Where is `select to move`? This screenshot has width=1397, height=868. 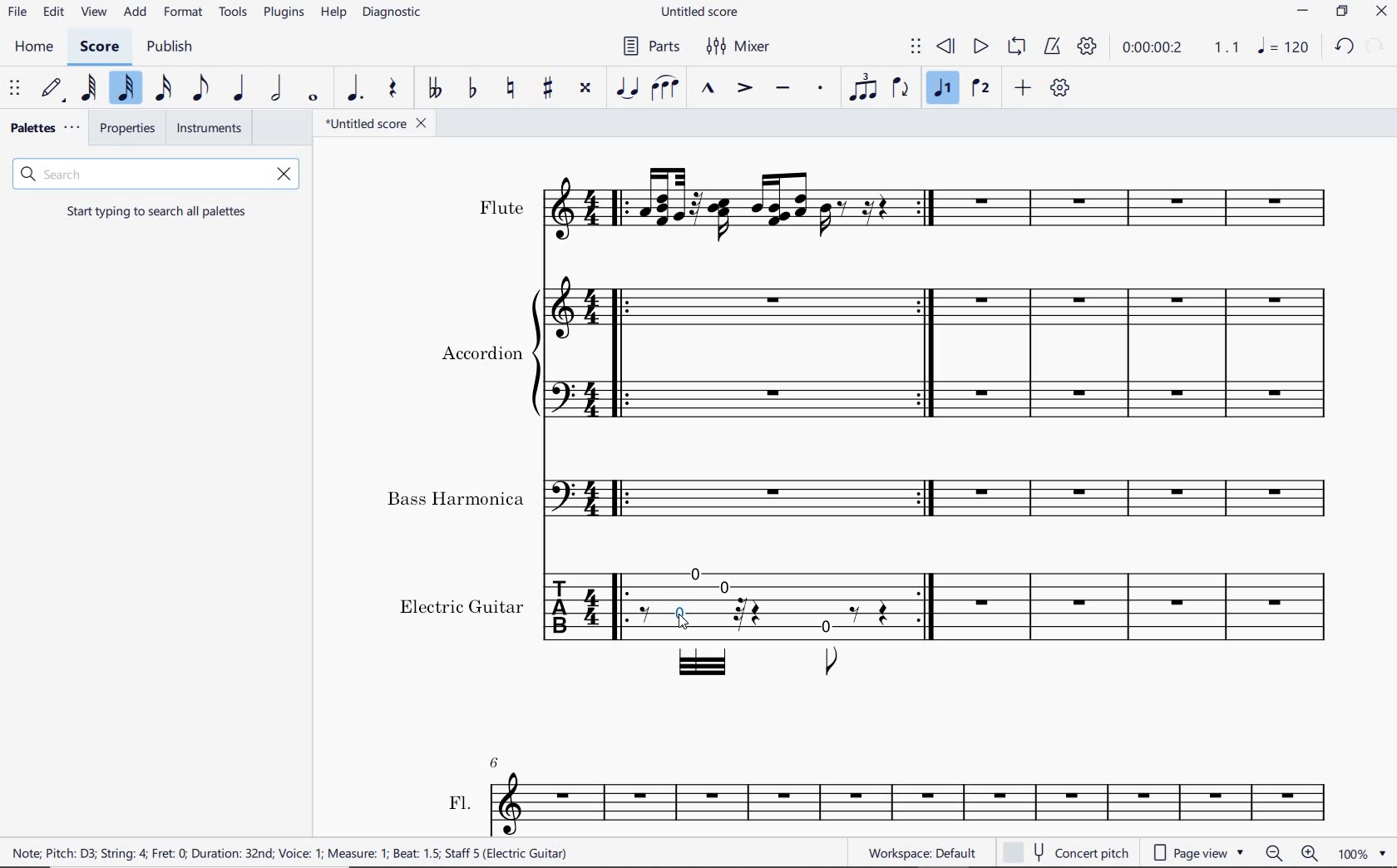 select to move is located at coordinates (915, 47).